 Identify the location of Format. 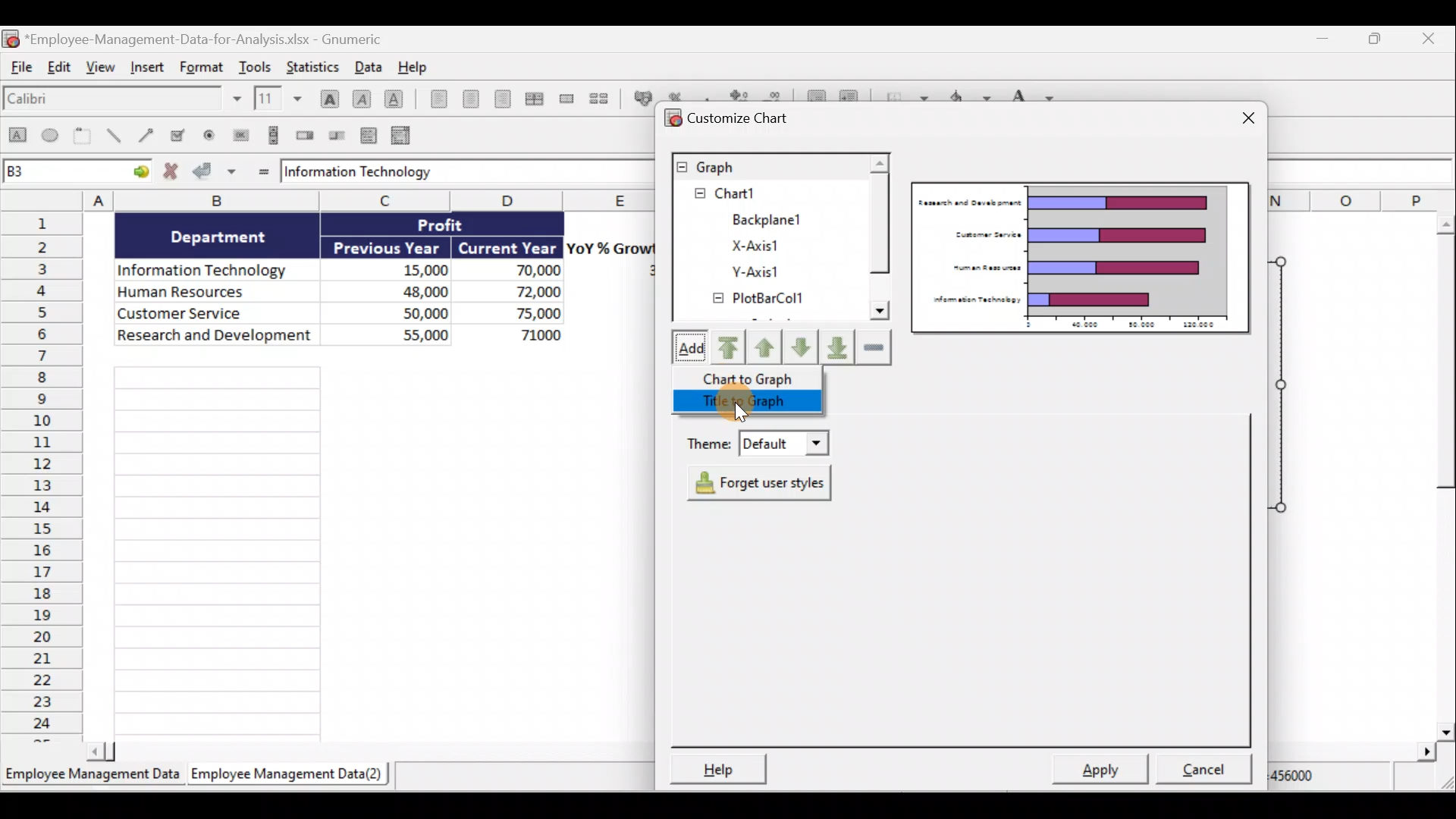
(204, 65).